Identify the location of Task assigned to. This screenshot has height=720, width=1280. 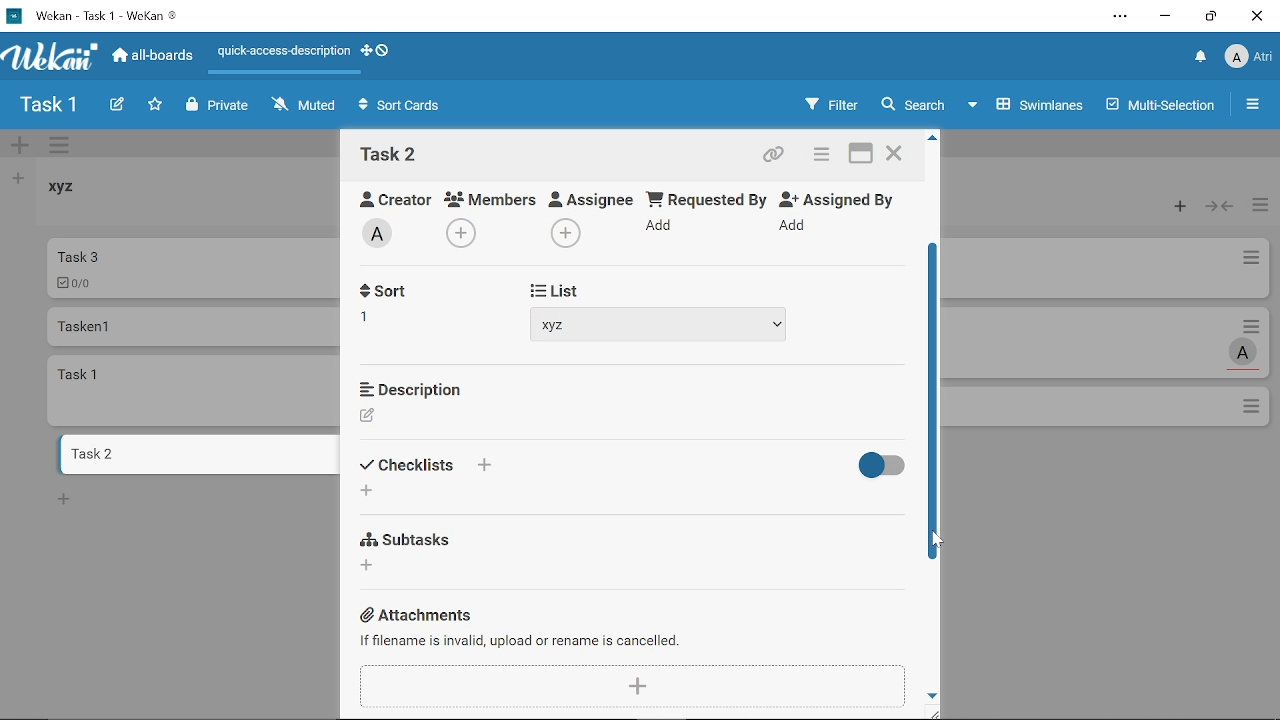
(1245, 352).